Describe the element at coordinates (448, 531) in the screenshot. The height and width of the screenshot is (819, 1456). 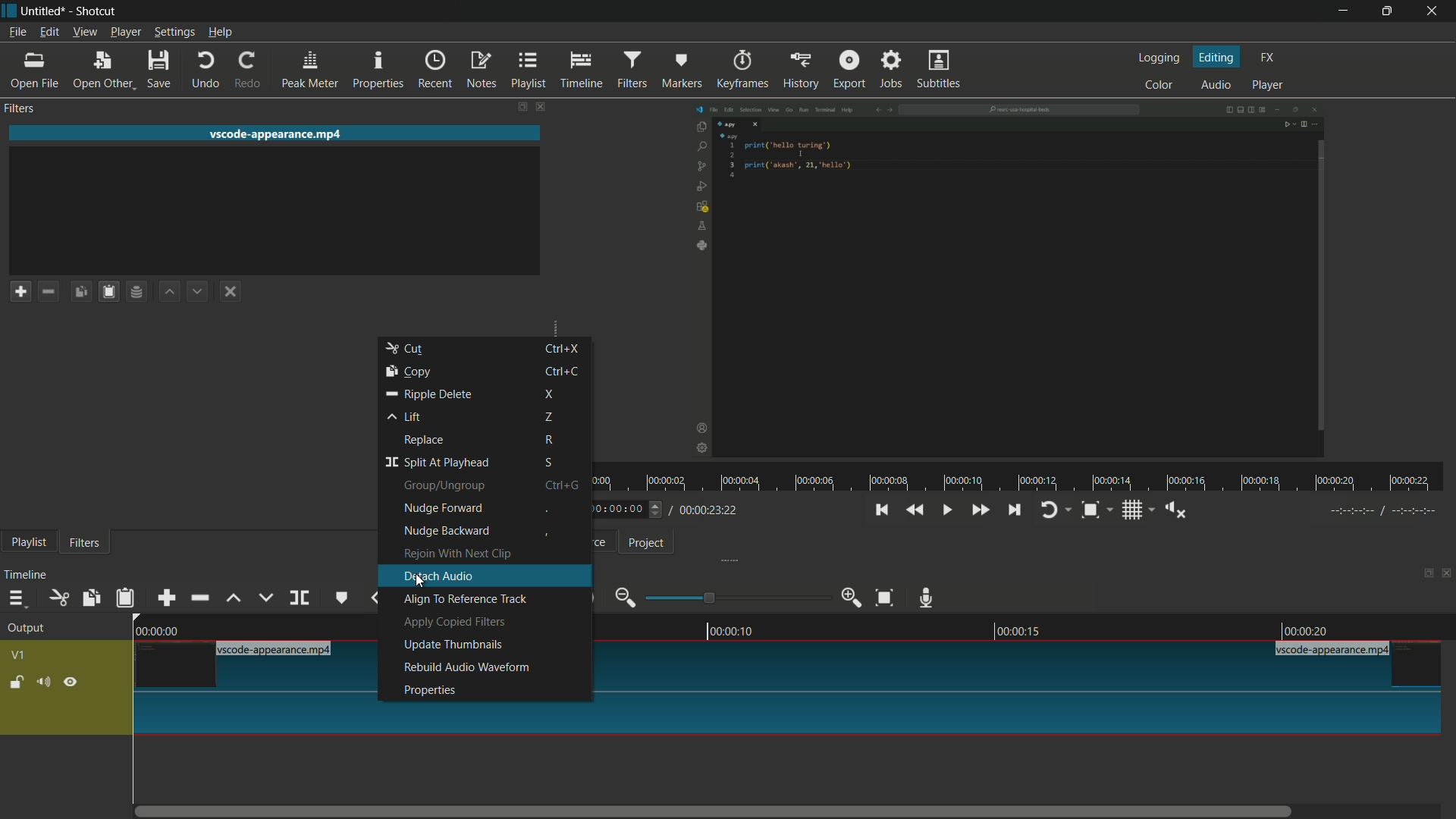
I see `nudge backward` at that location.